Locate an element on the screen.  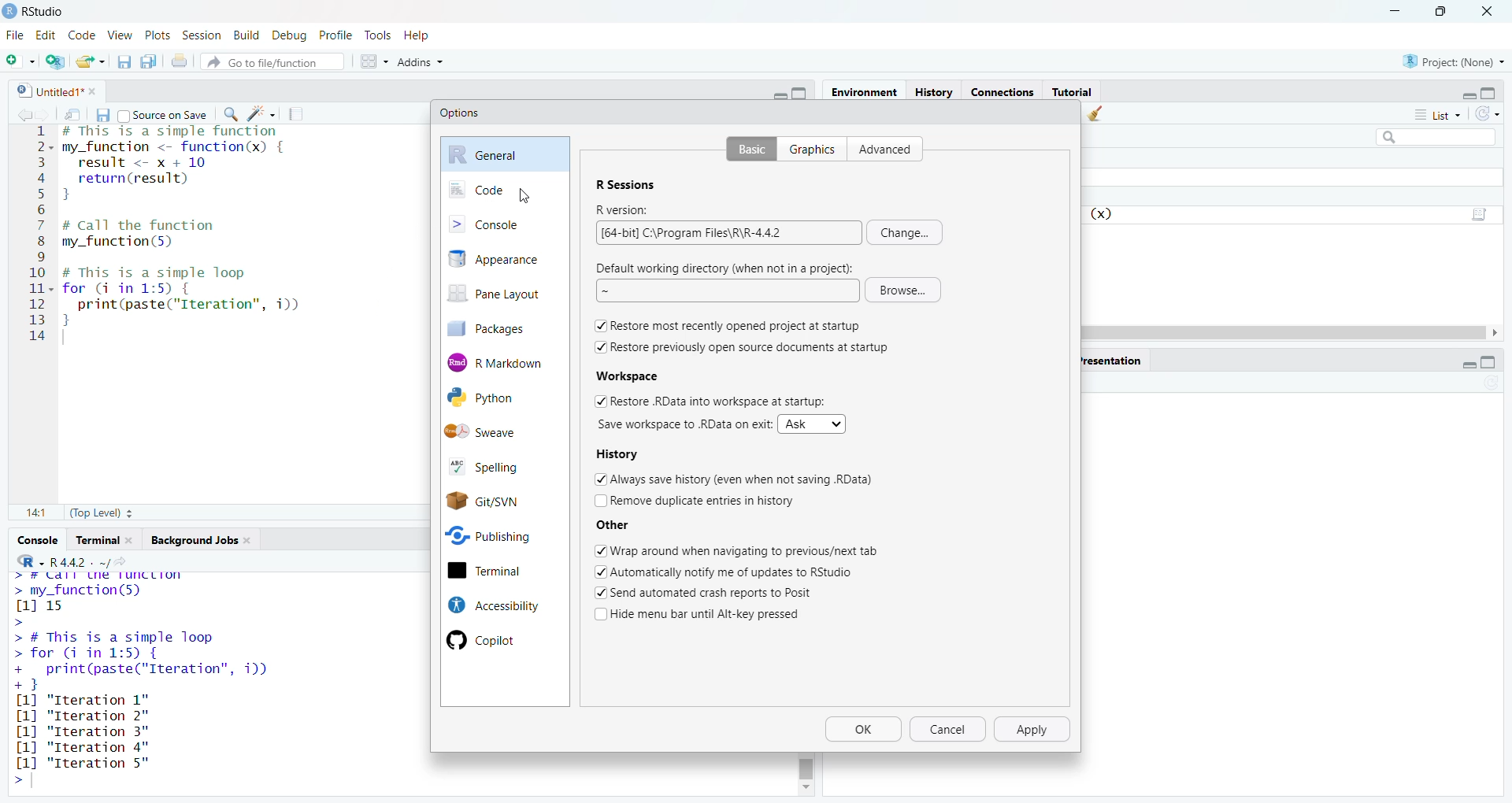
Wrap around when navigating to previous/next tab is located at coordinates (739, 549).